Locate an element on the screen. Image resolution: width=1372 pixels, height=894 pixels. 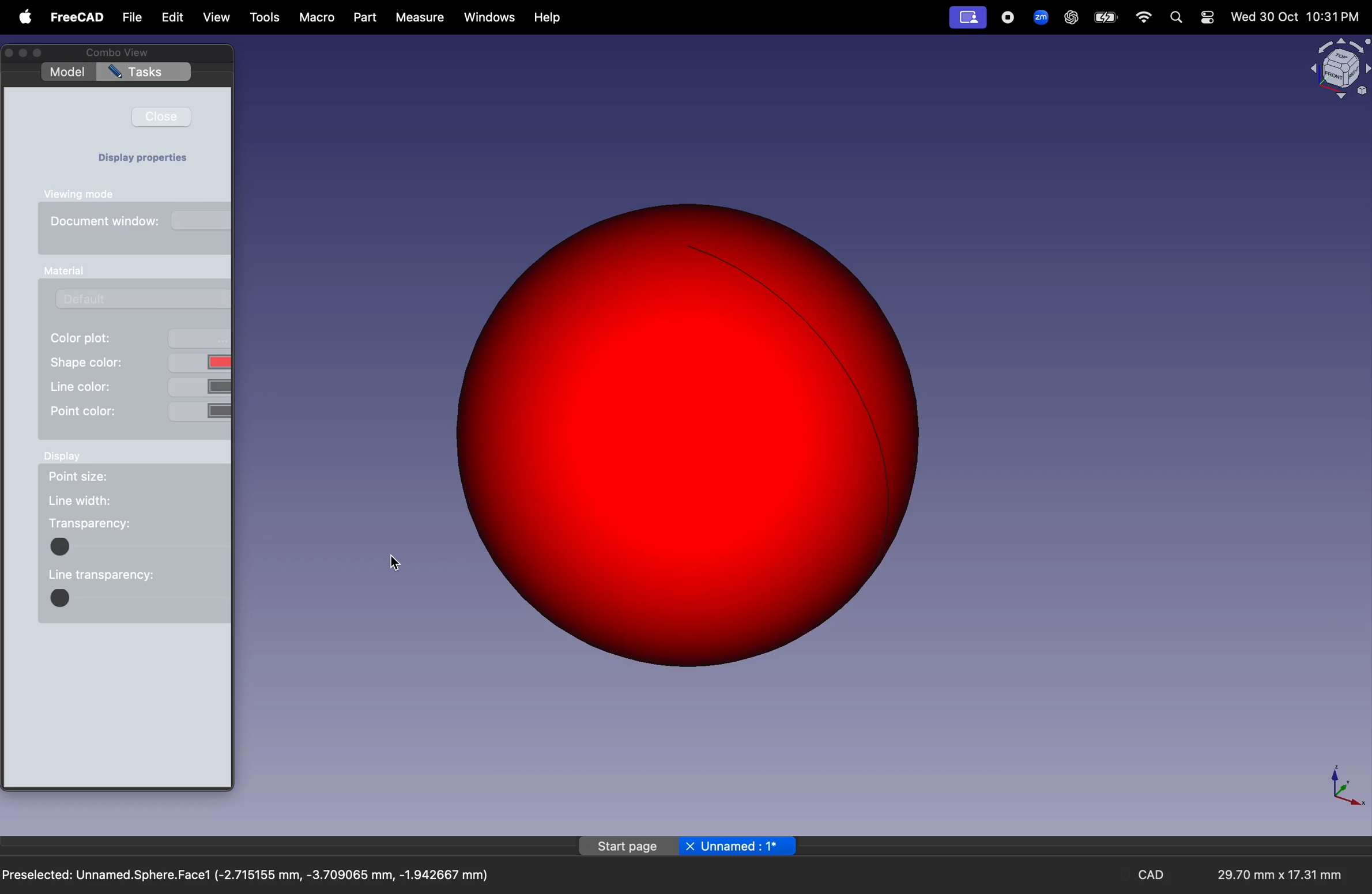
29.70 mm x 17.31 mm is located at coordinates (1270, 876).